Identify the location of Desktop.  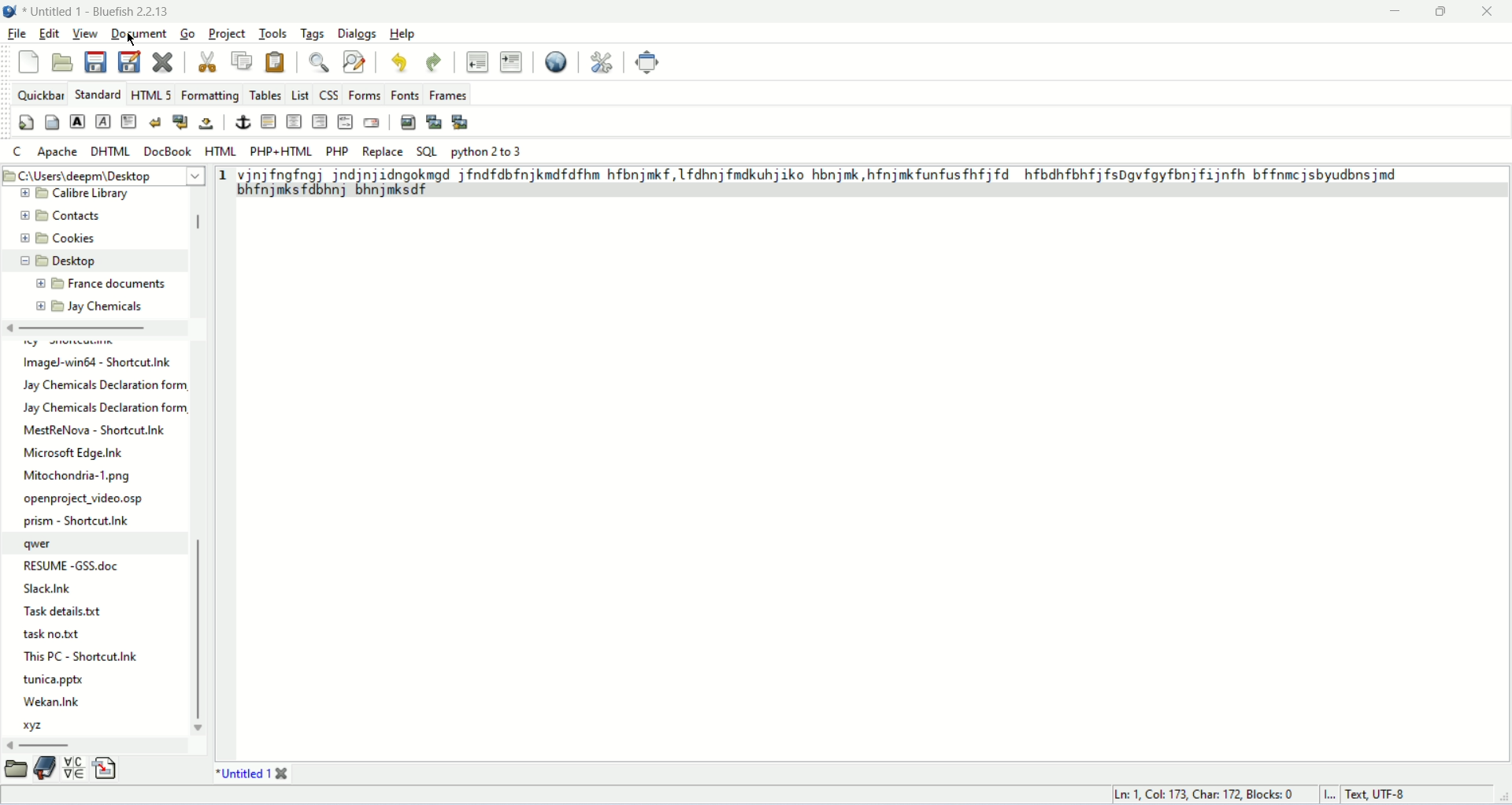
(81, 261).